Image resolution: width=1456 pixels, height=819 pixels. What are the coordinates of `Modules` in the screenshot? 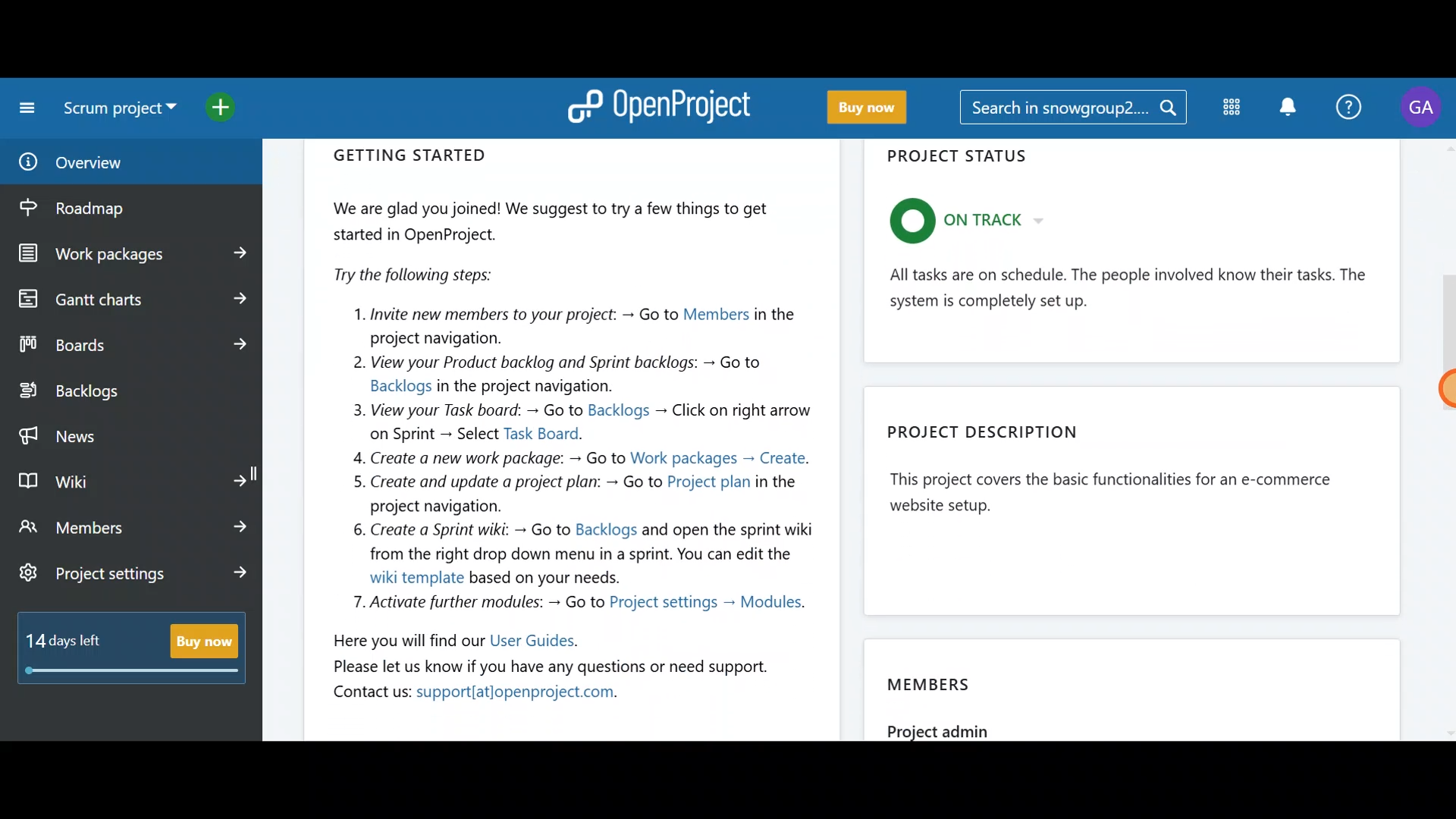 It's located at (1228, 111).